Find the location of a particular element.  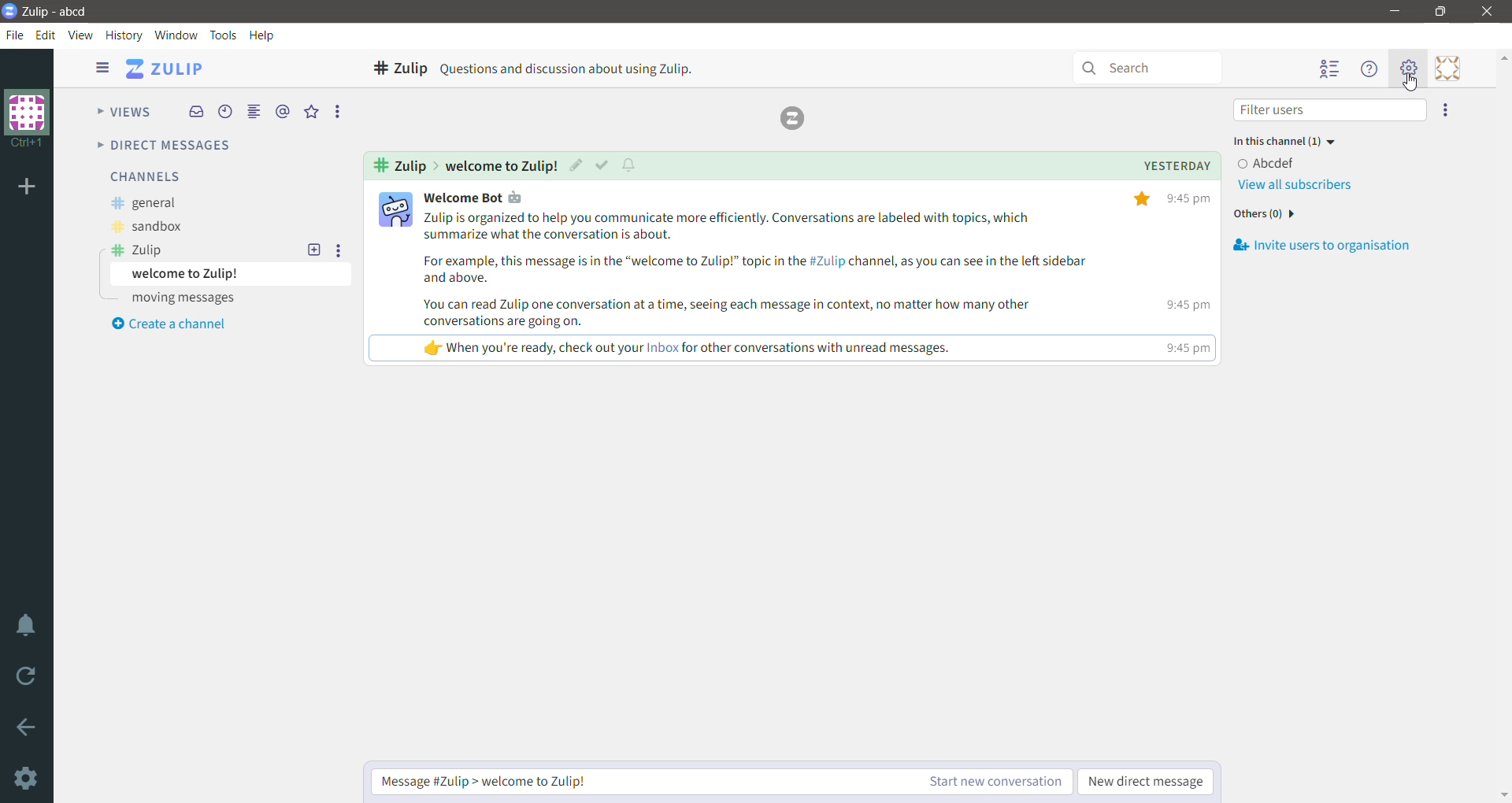

Zulip logo is located at coordinates (792, 117).